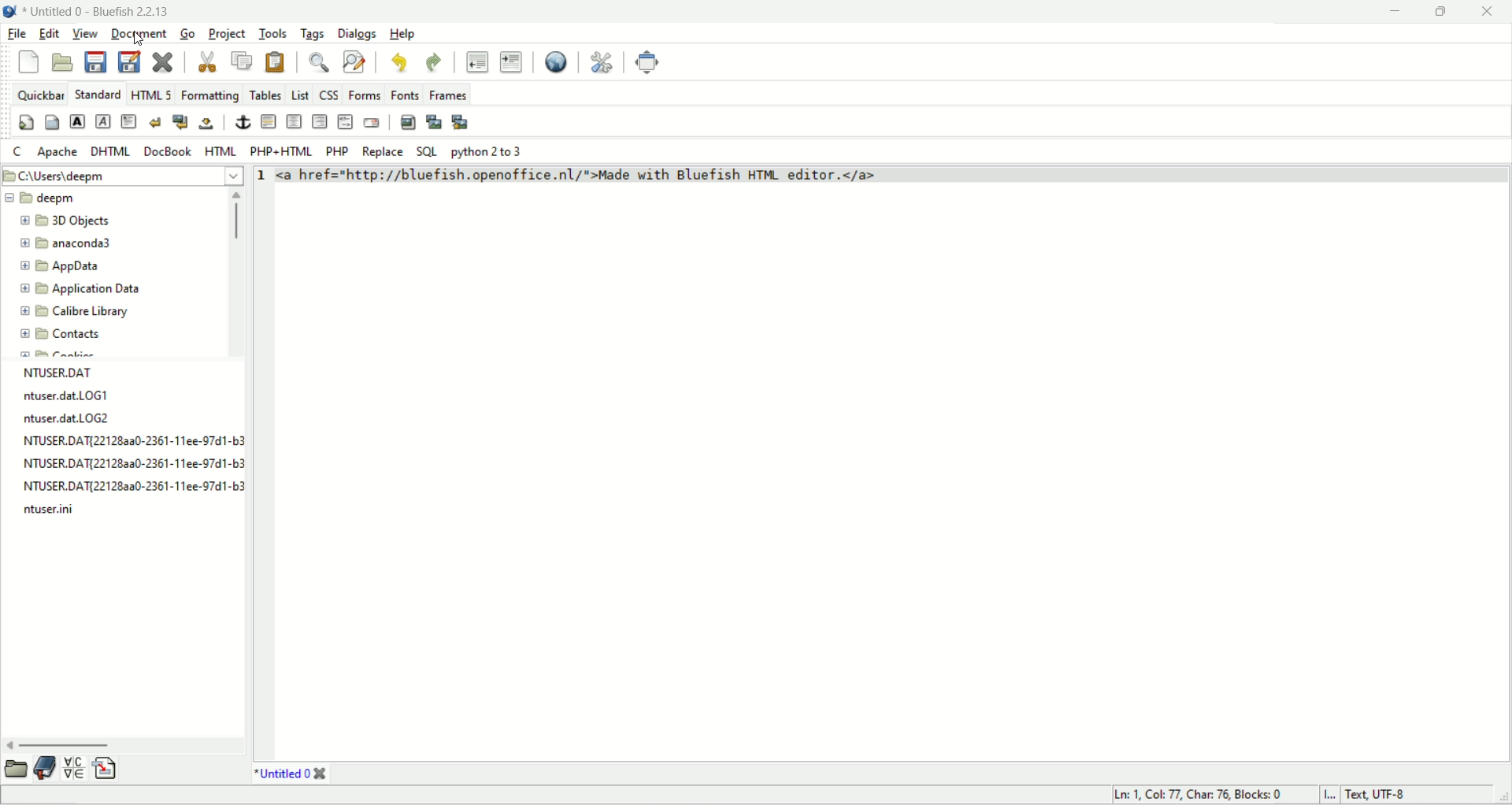  I want to click on logo, so click(13, 13).